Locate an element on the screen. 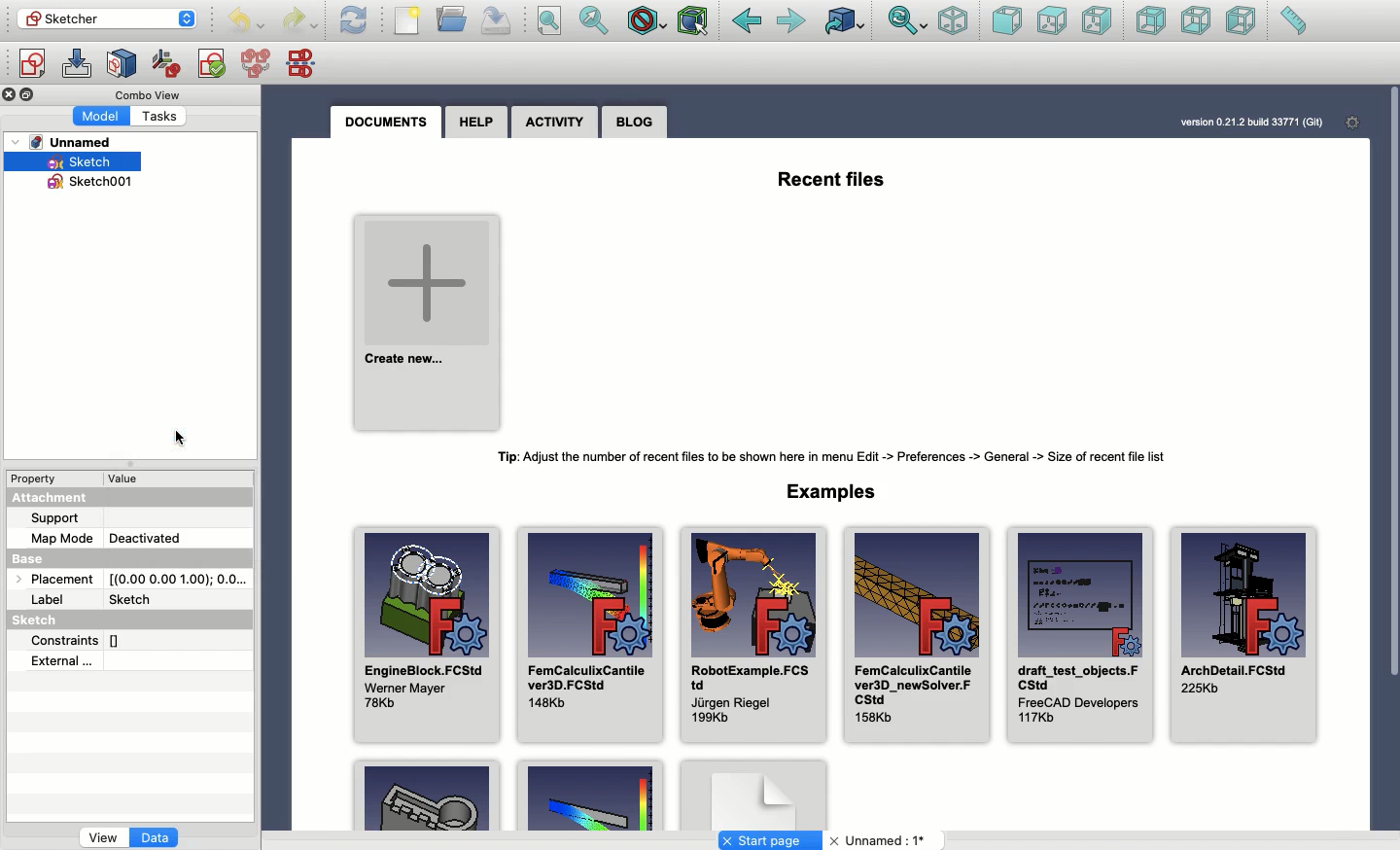 Image resolution: width=1400 pixels, height=850 pixels. Value is located at coordinates (132, 478).